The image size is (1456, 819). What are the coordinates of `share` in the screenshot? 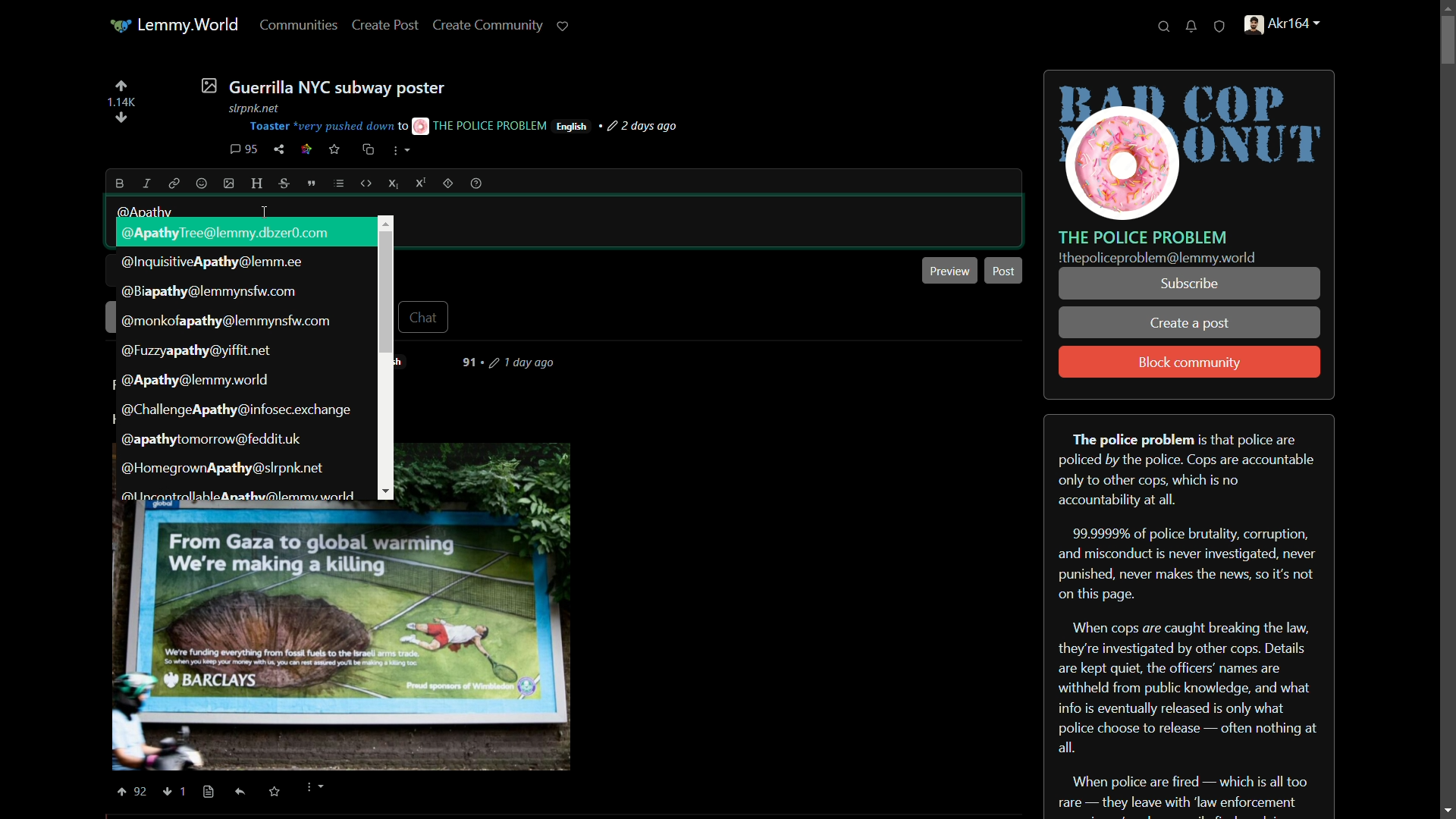 It's located at (279, 149).